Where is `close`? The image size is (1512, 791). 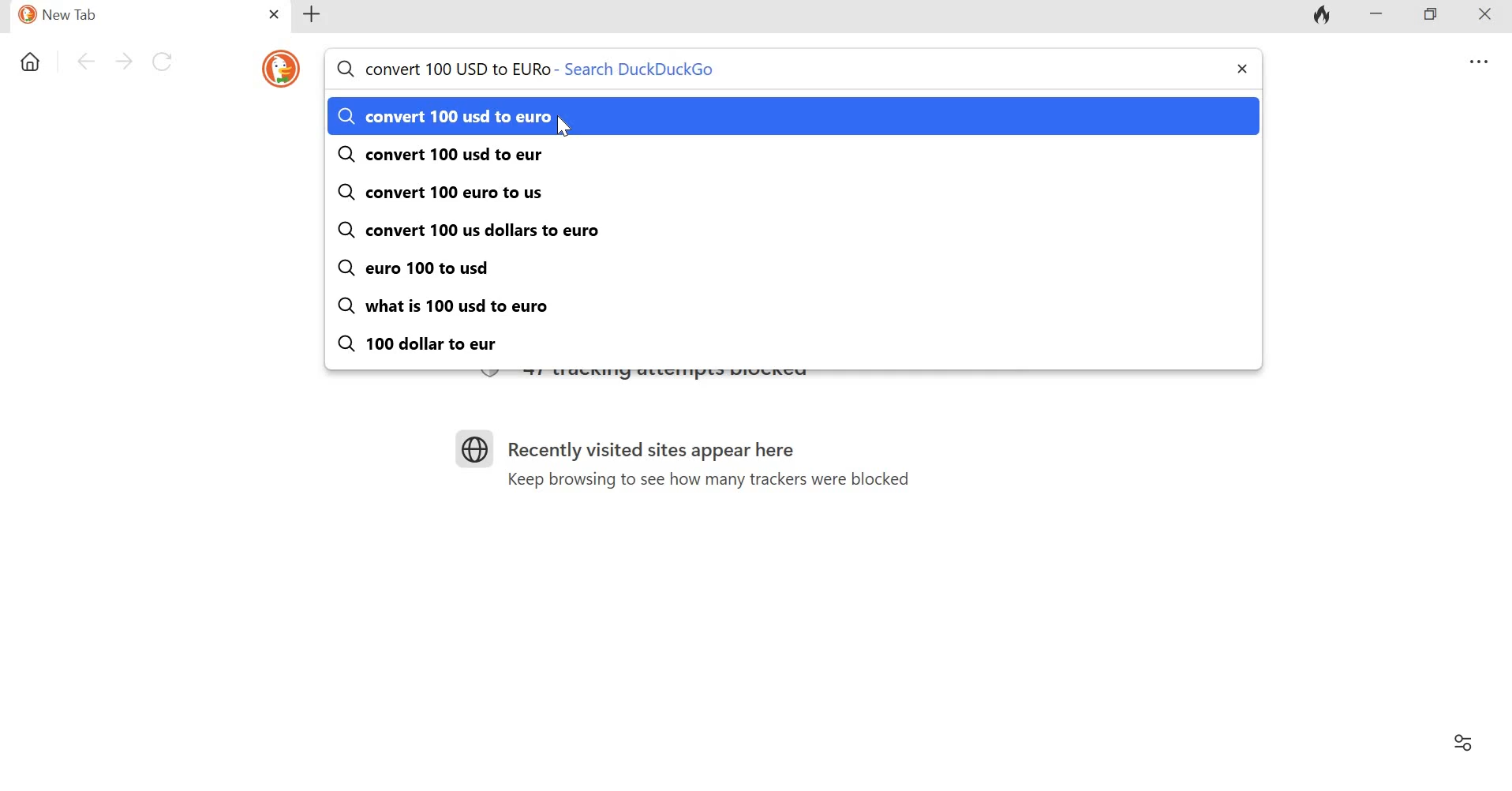
close is located at coordinates (1490, 17).